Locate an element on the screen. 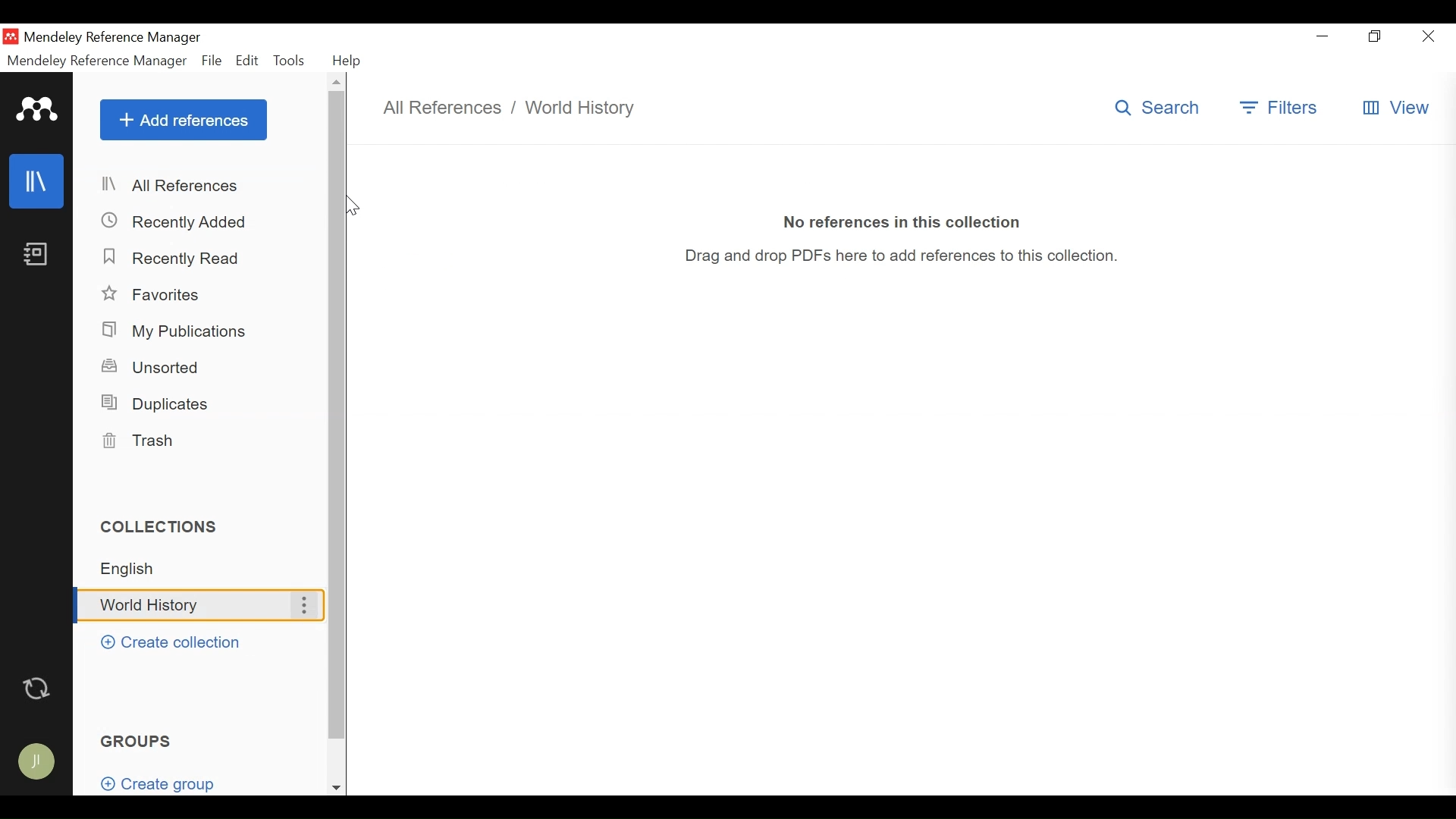  Drag and Drop PDFs here to add references to the collection is located at coordinates (912, 258).